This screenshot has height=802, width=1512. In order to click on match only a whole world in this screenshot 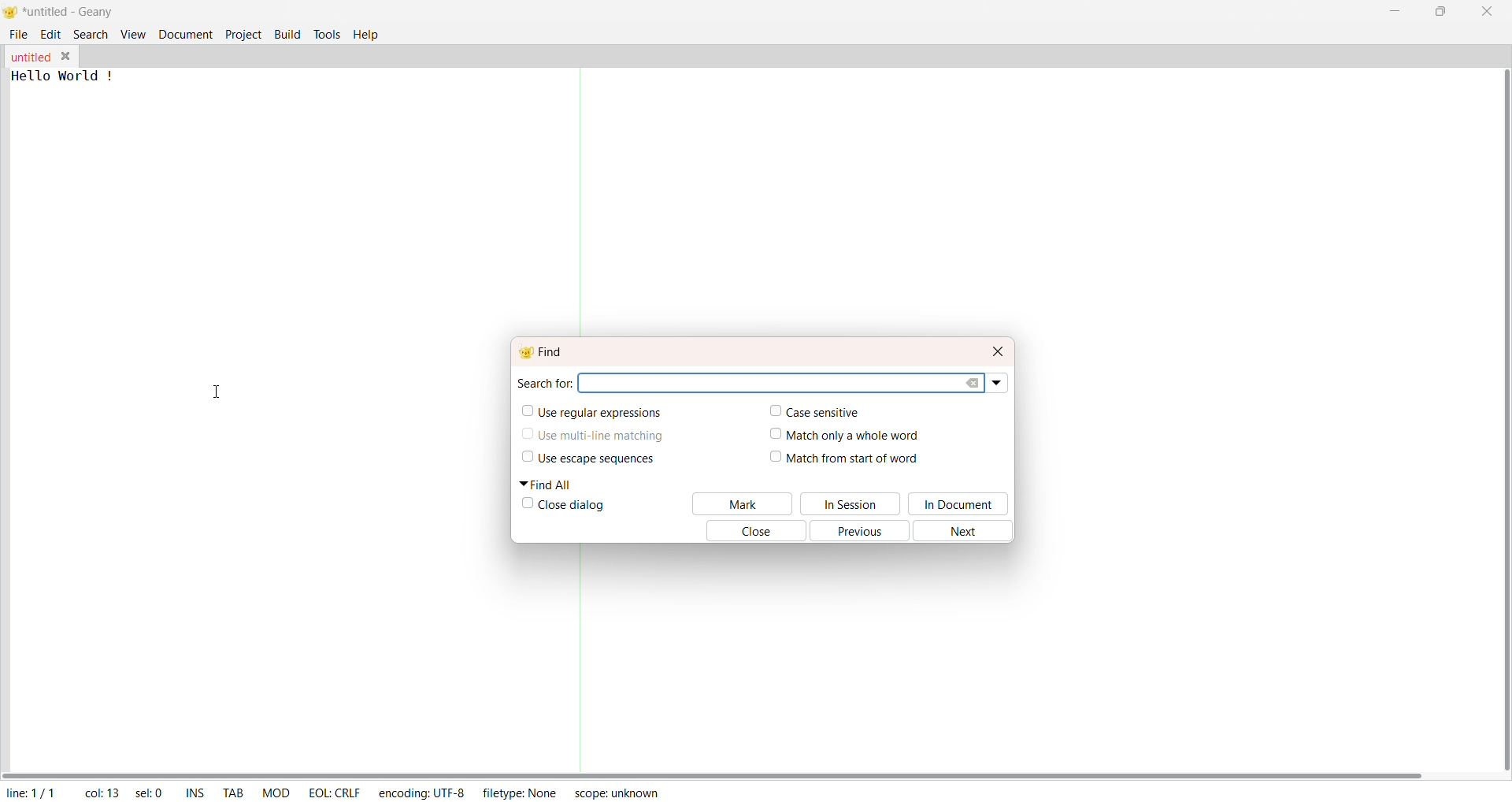, I will do `click(862, 435)`.